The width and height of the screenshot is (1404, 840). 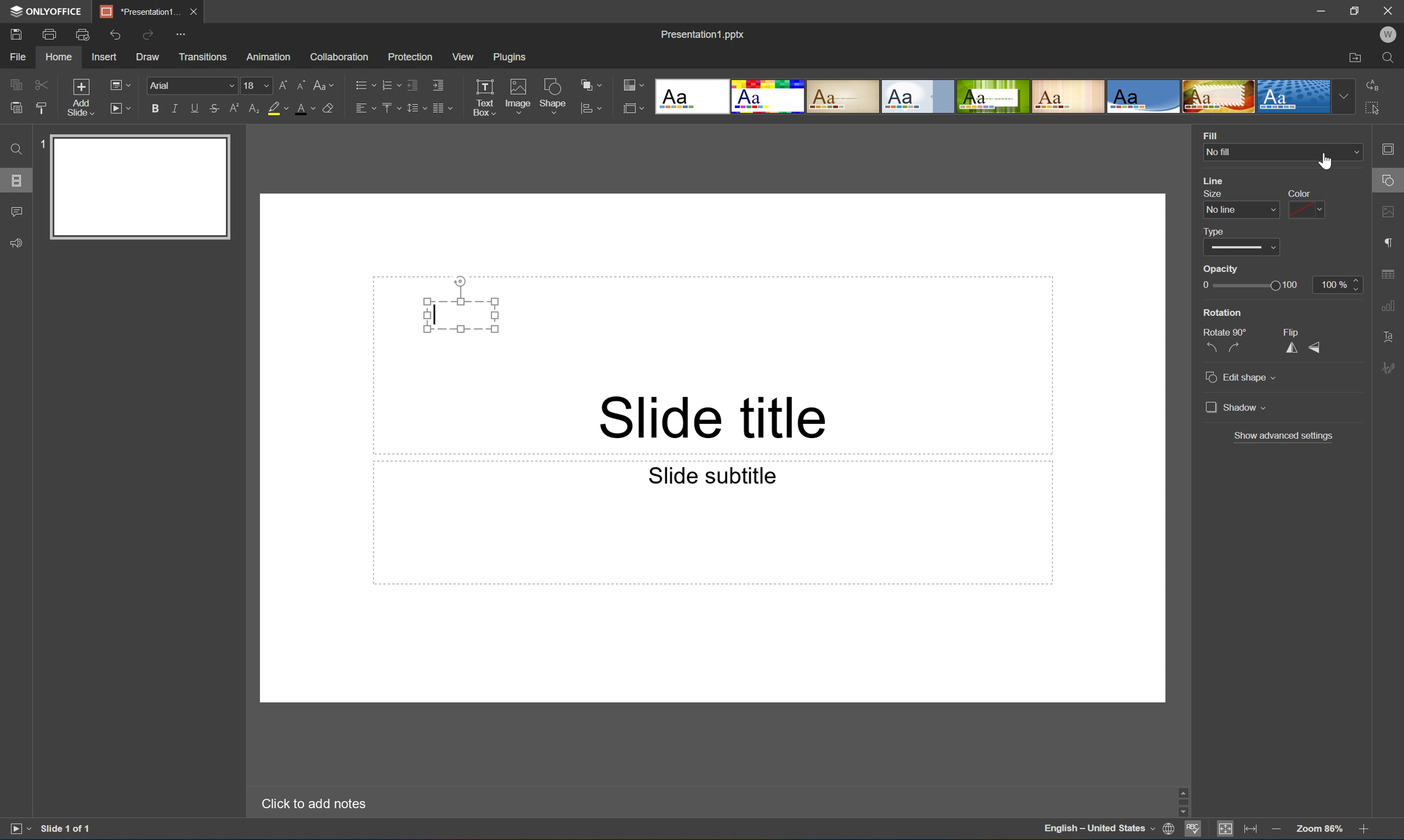 What do you see at coordinates (236, 109) in the screenshot?
I see `Superscript` at bounding box center [236, 109].